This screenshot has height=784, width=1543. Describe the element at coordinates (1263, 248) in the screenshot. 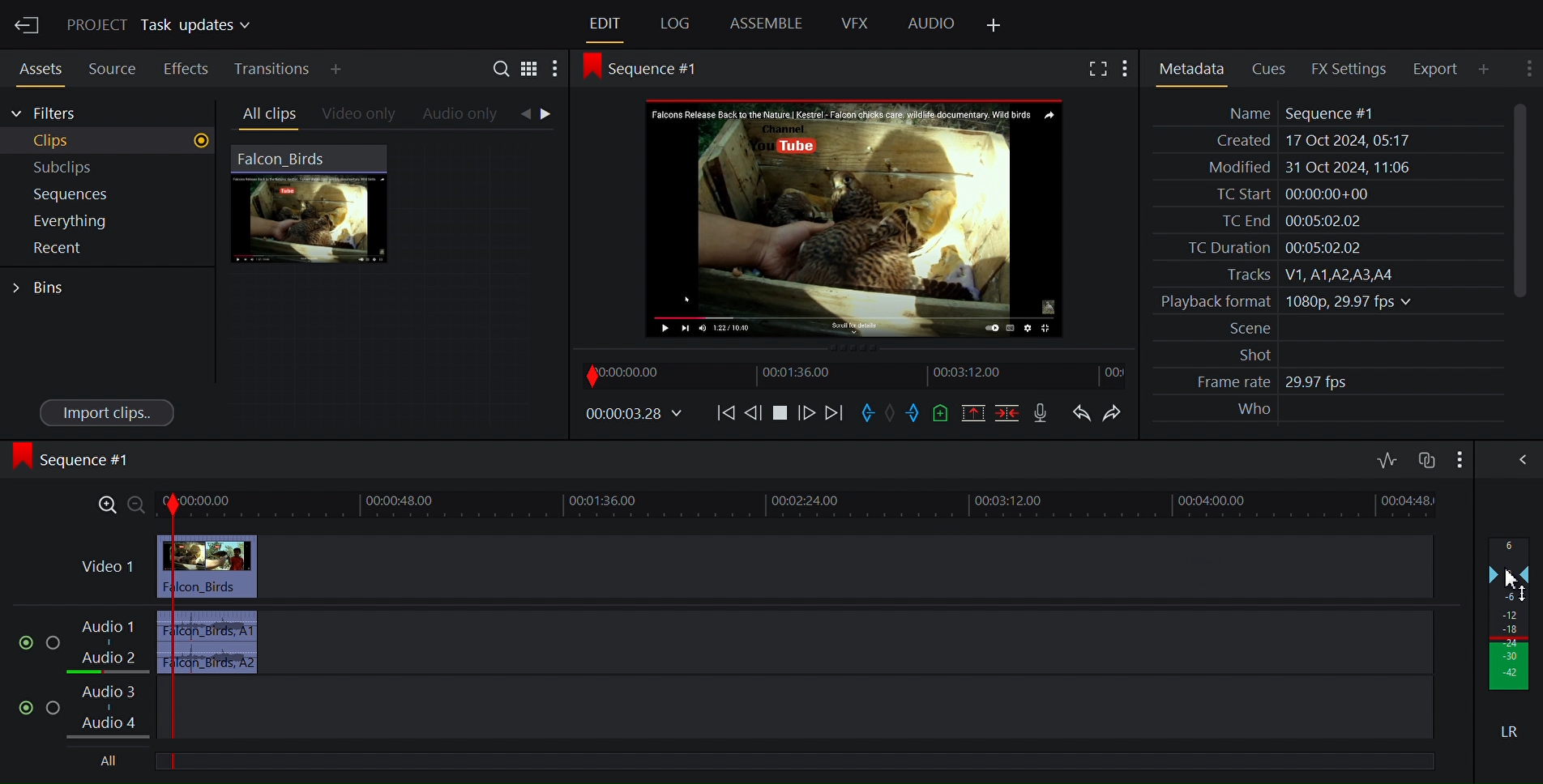

I see `TC Duration  00:05:02.02` at that location.